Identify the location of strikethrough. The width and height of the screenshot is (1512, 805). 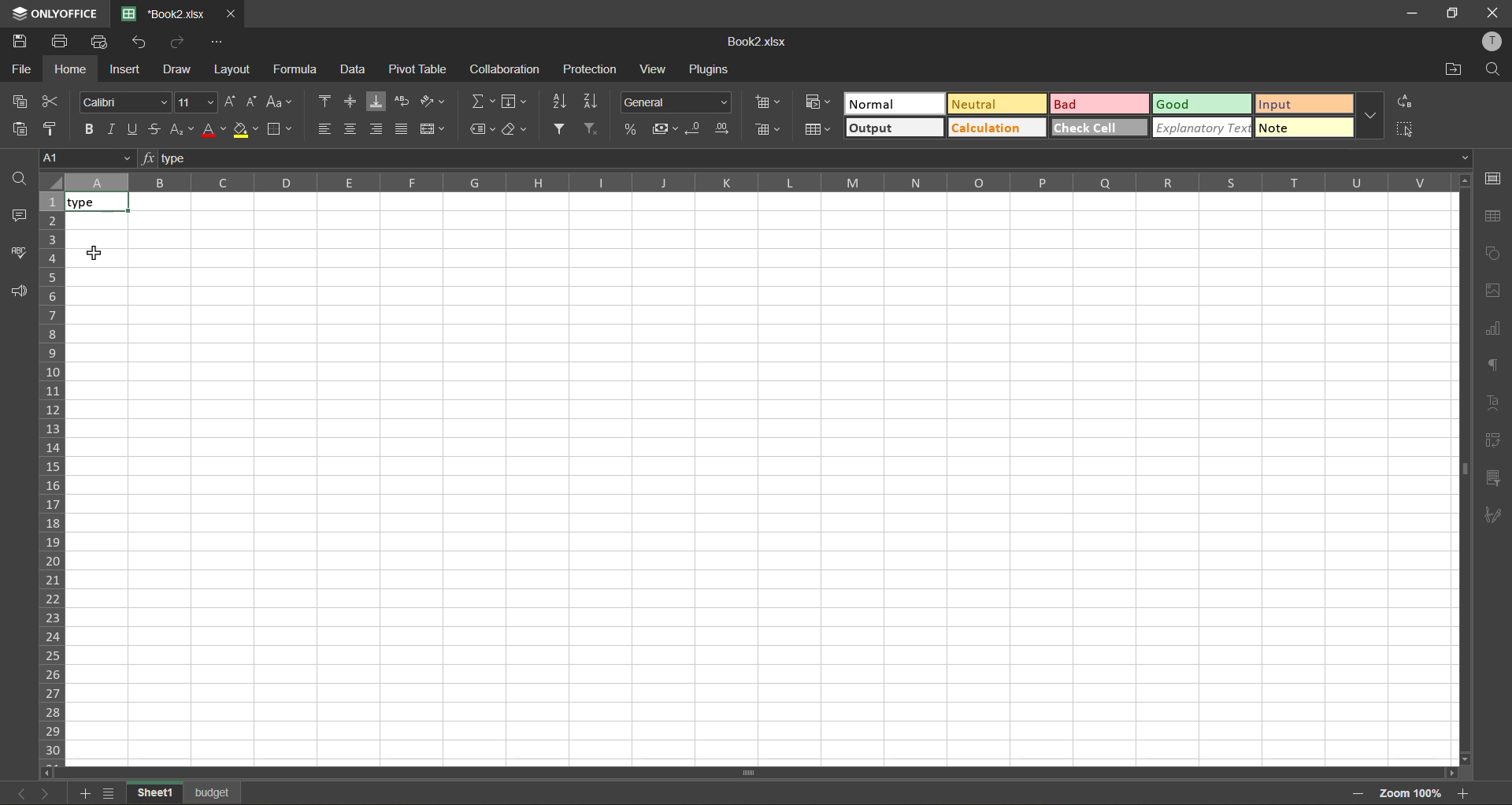
(156, 129).